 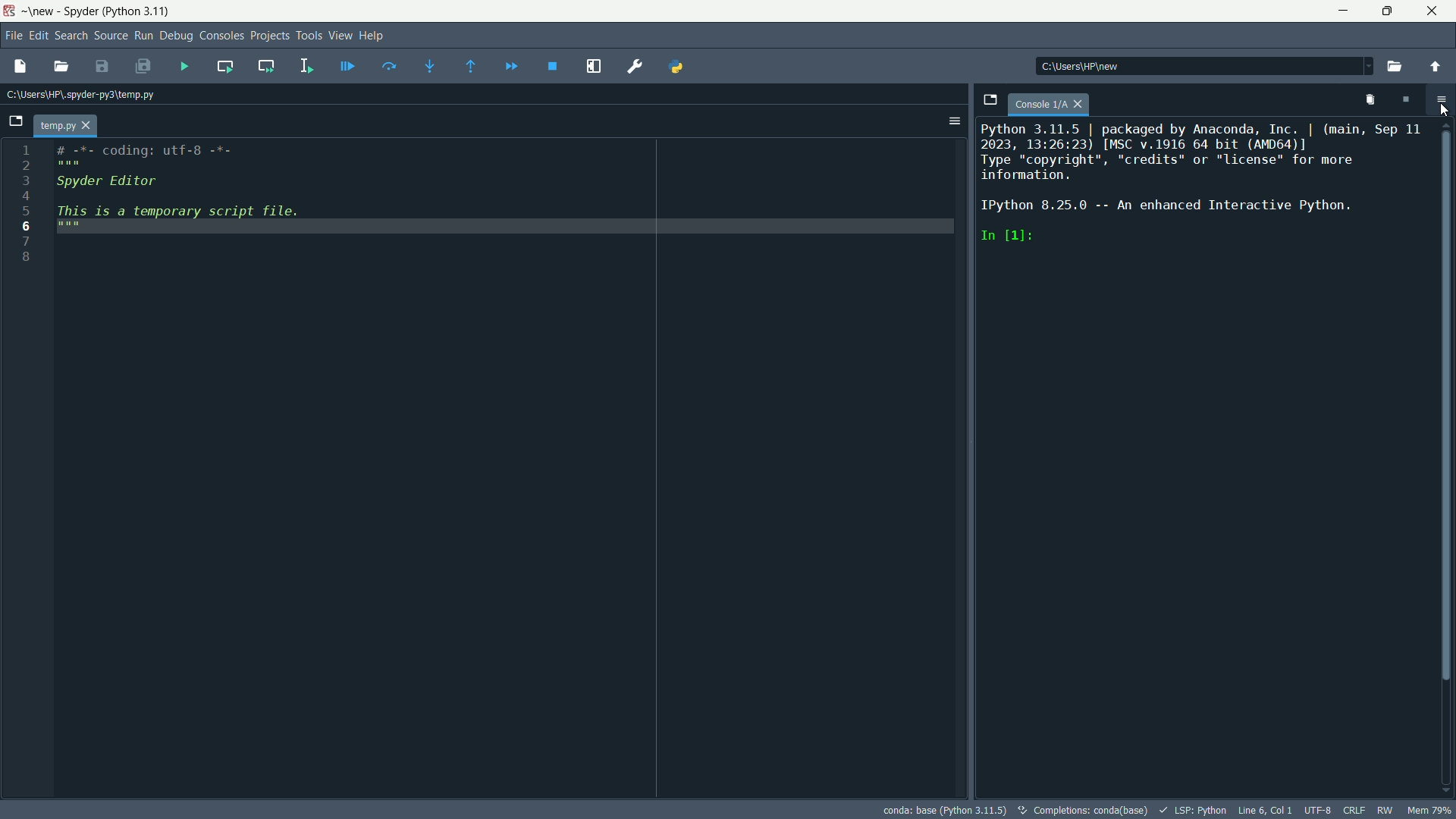 I want to click on minimize, so click(x=1345, y=11).